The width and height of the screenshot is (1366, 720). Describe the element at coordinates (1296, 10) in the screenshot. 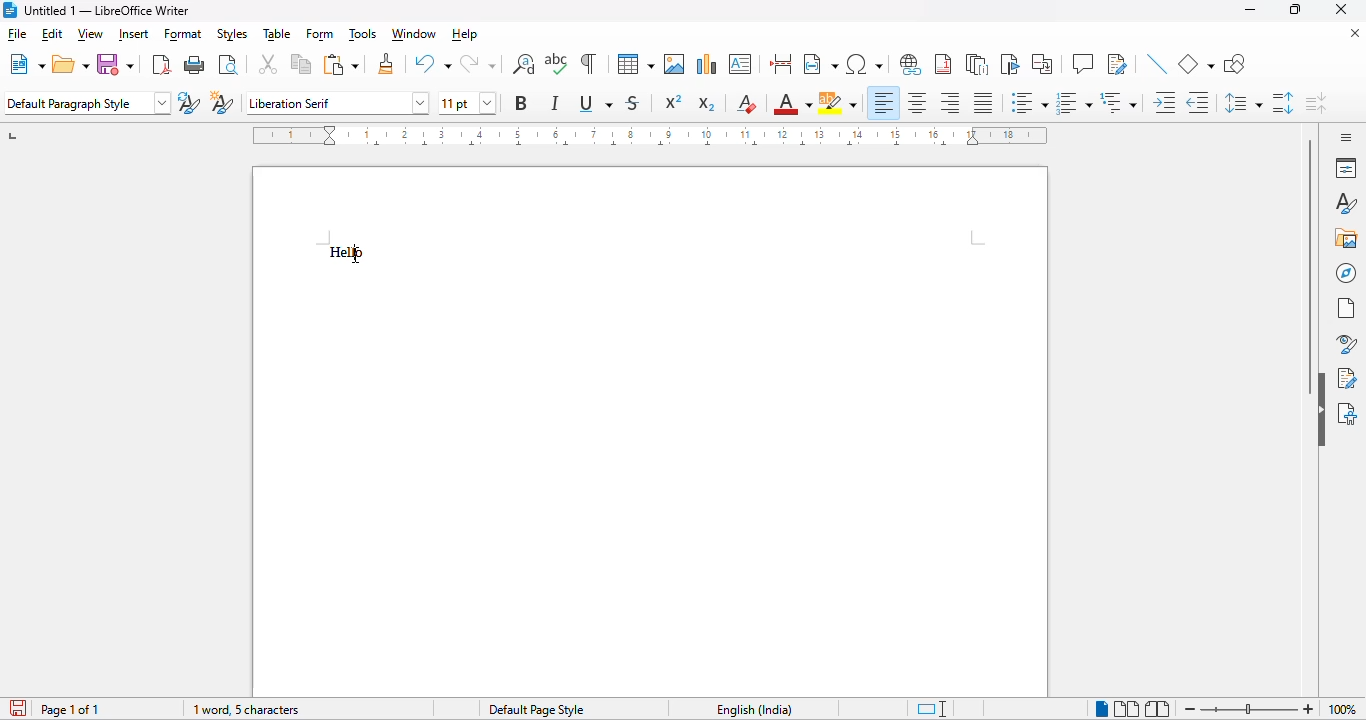

I see `maximize` at that location.